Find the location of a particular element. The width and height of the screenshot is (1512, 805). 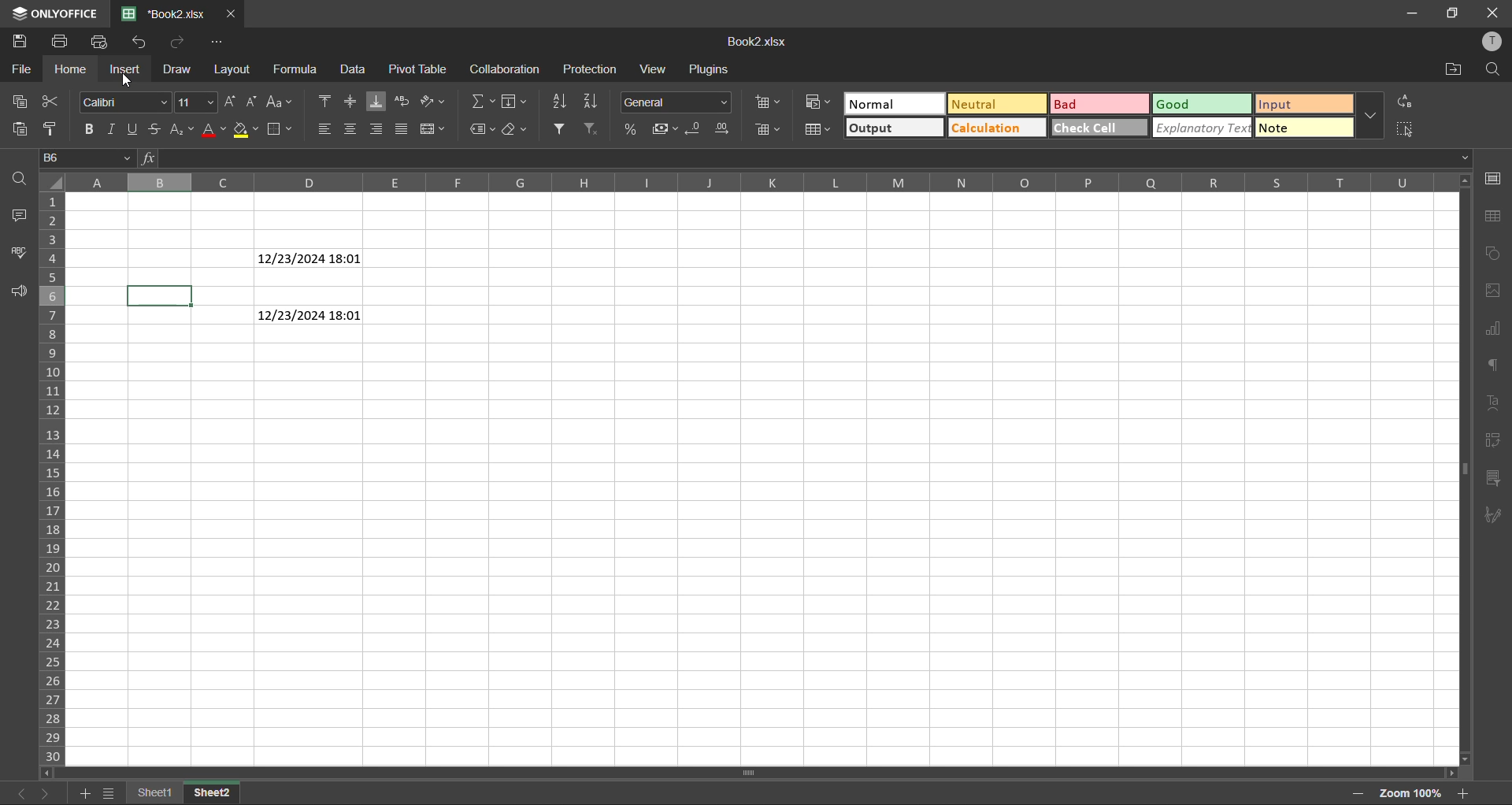

home is located at coordinates (75, 70).